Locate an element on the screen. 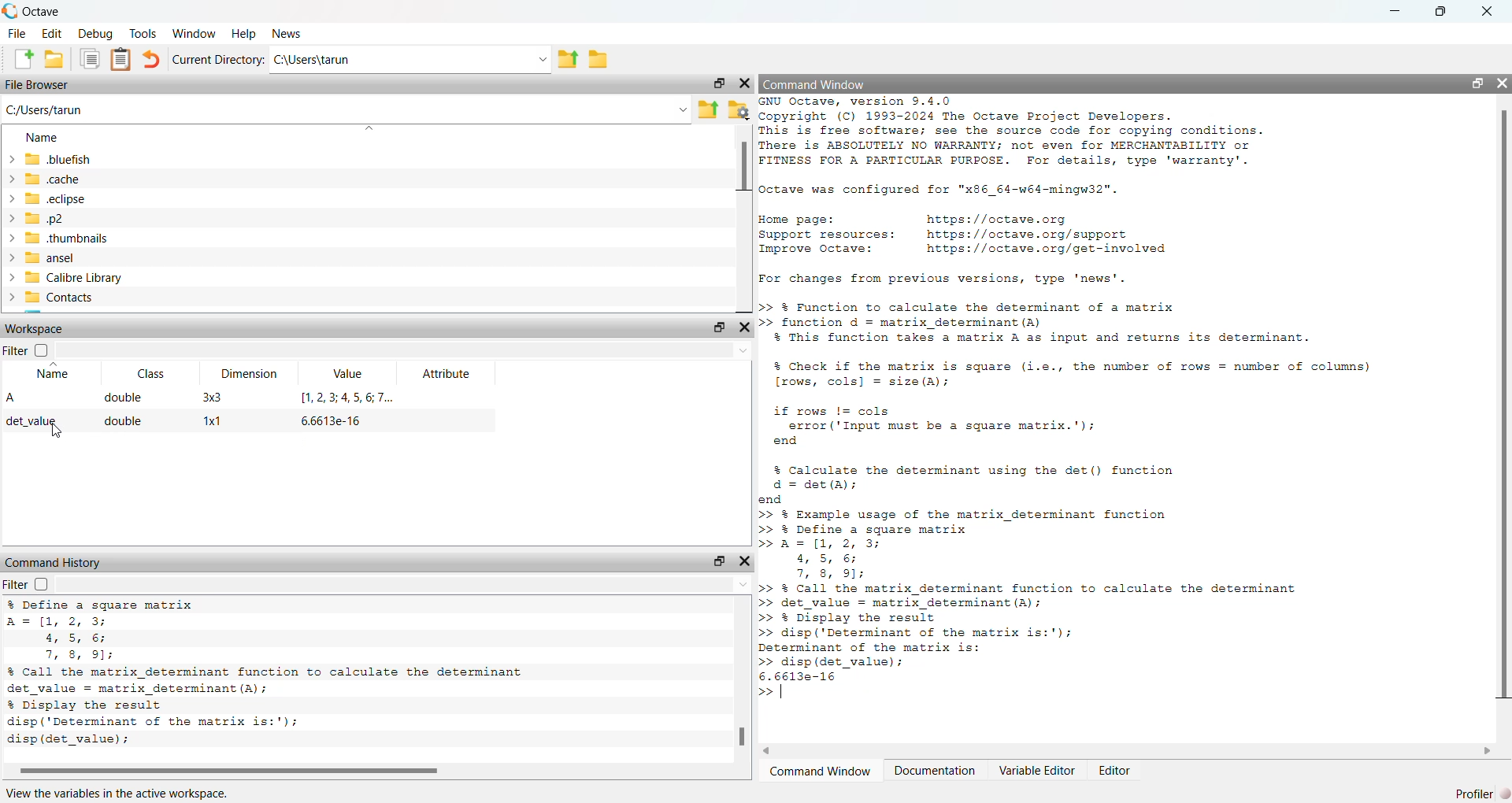   Command Window is located at coordinates (821, 771).